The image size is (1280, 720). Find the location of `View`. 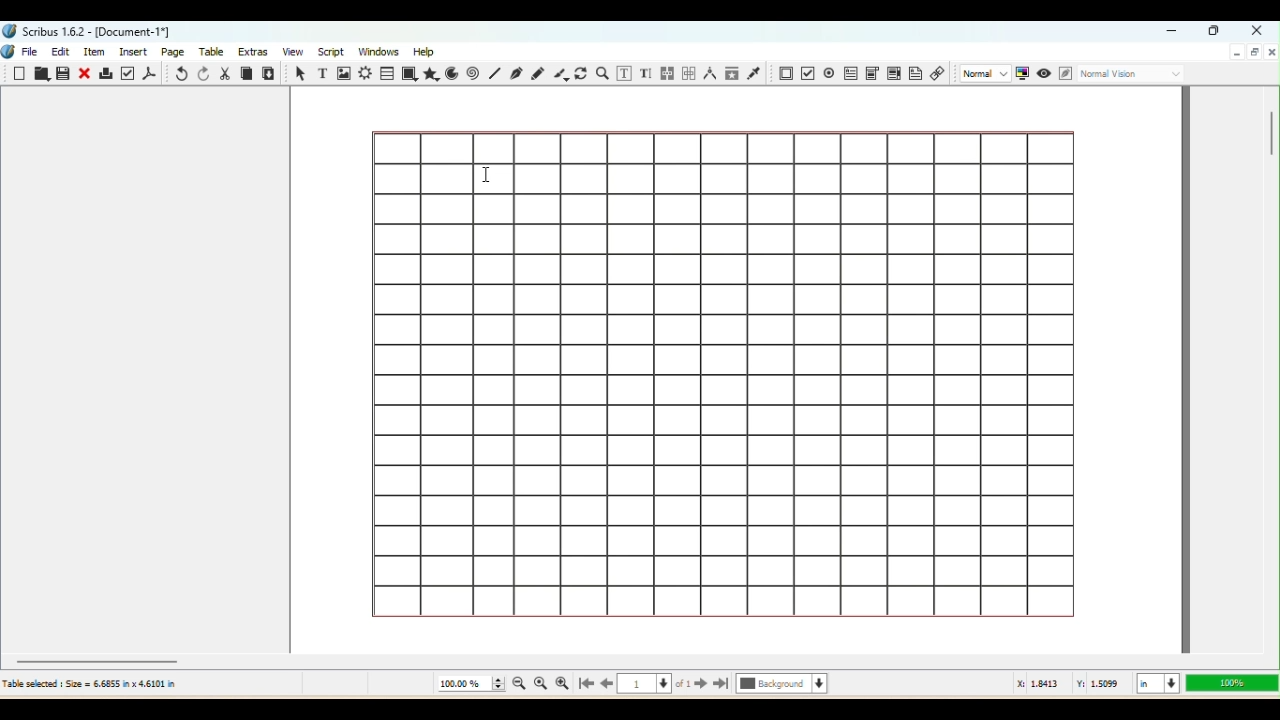

View is located at coordinates (290, 52).